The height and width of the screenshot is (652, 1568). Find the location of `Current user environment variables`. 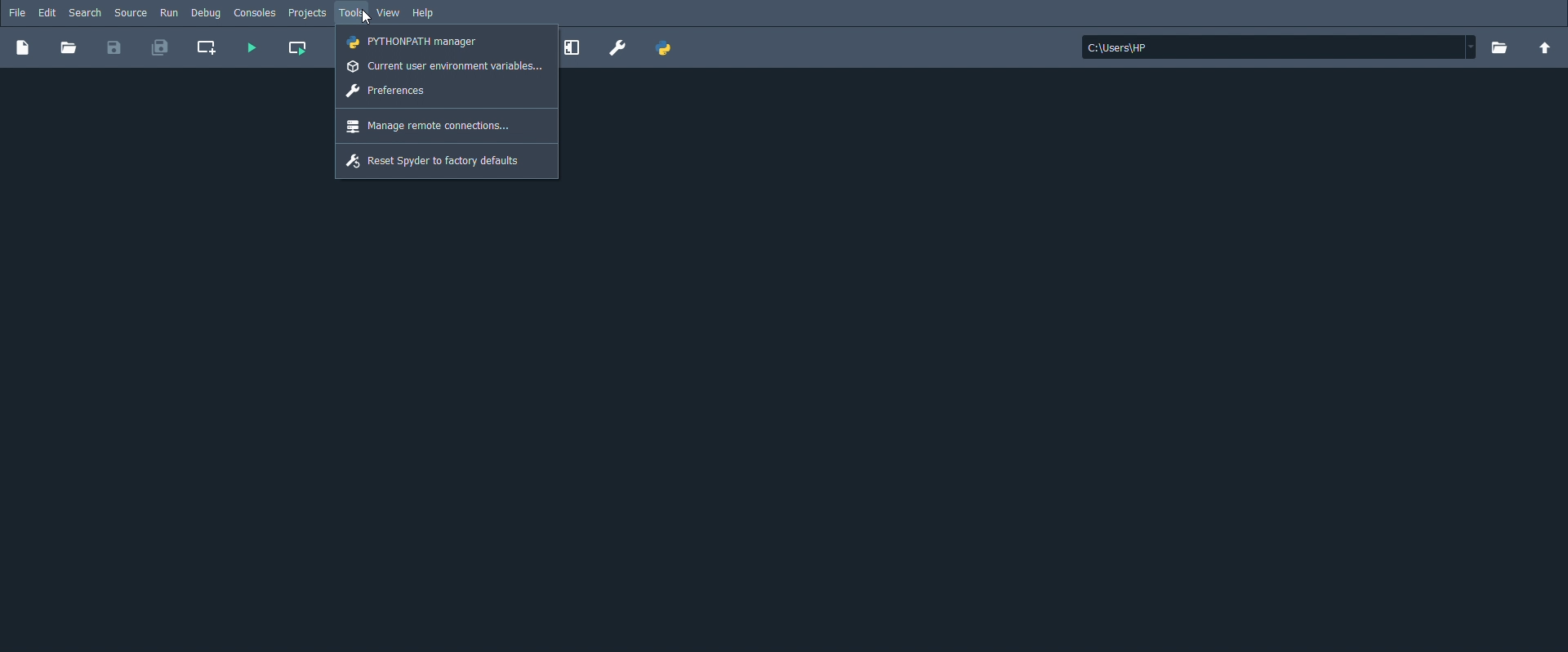

Current user environment variables is located at coordinates (445, 67).